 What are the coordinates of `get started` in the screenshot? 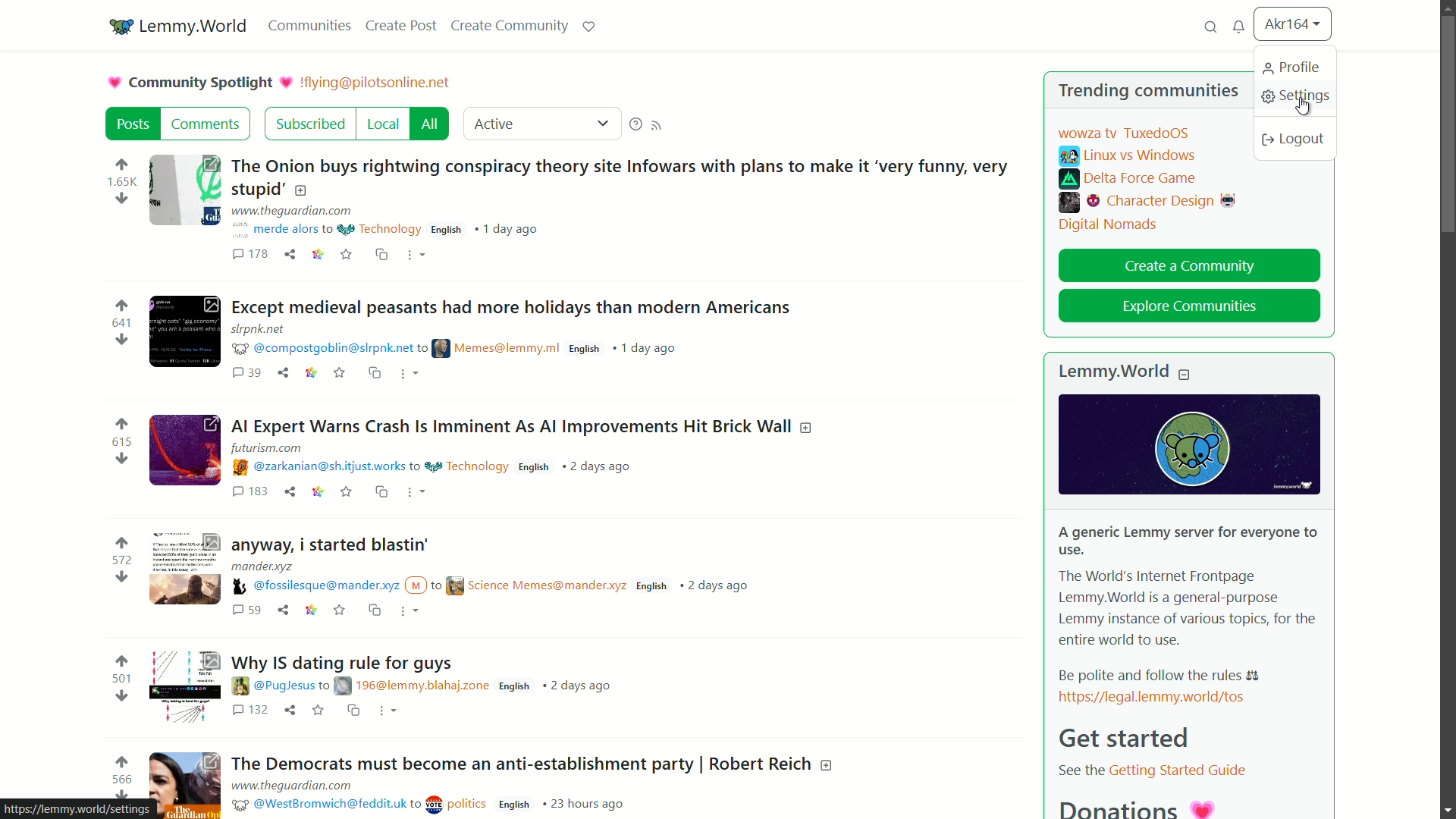 It's located at (1120, 737).